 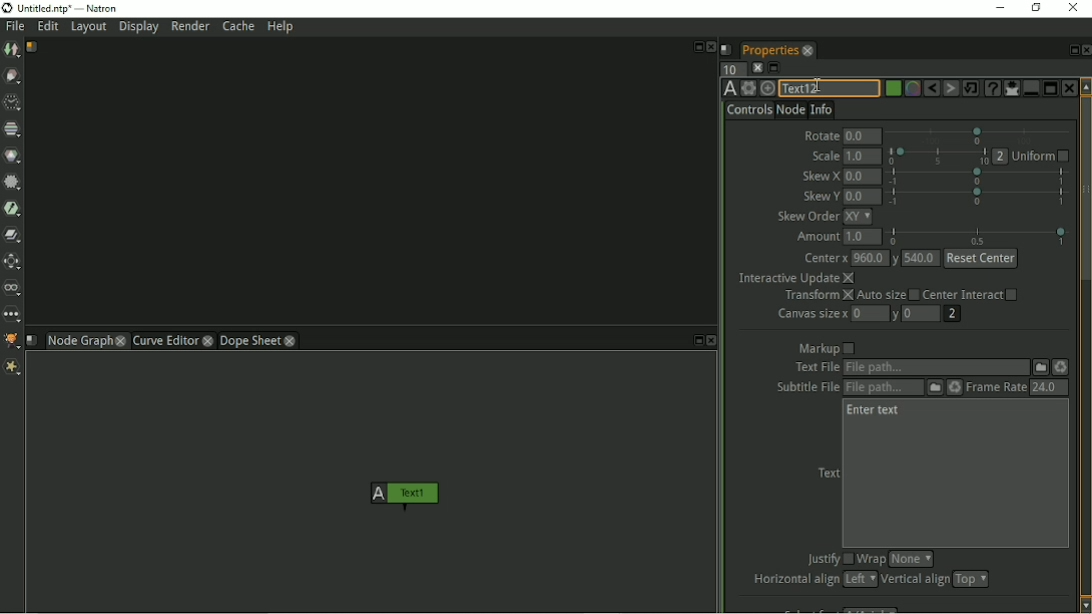 What do you see at coordinates (807, 216) in the screenshot?
I see `Skew Order` at bounding box center [807, 216].